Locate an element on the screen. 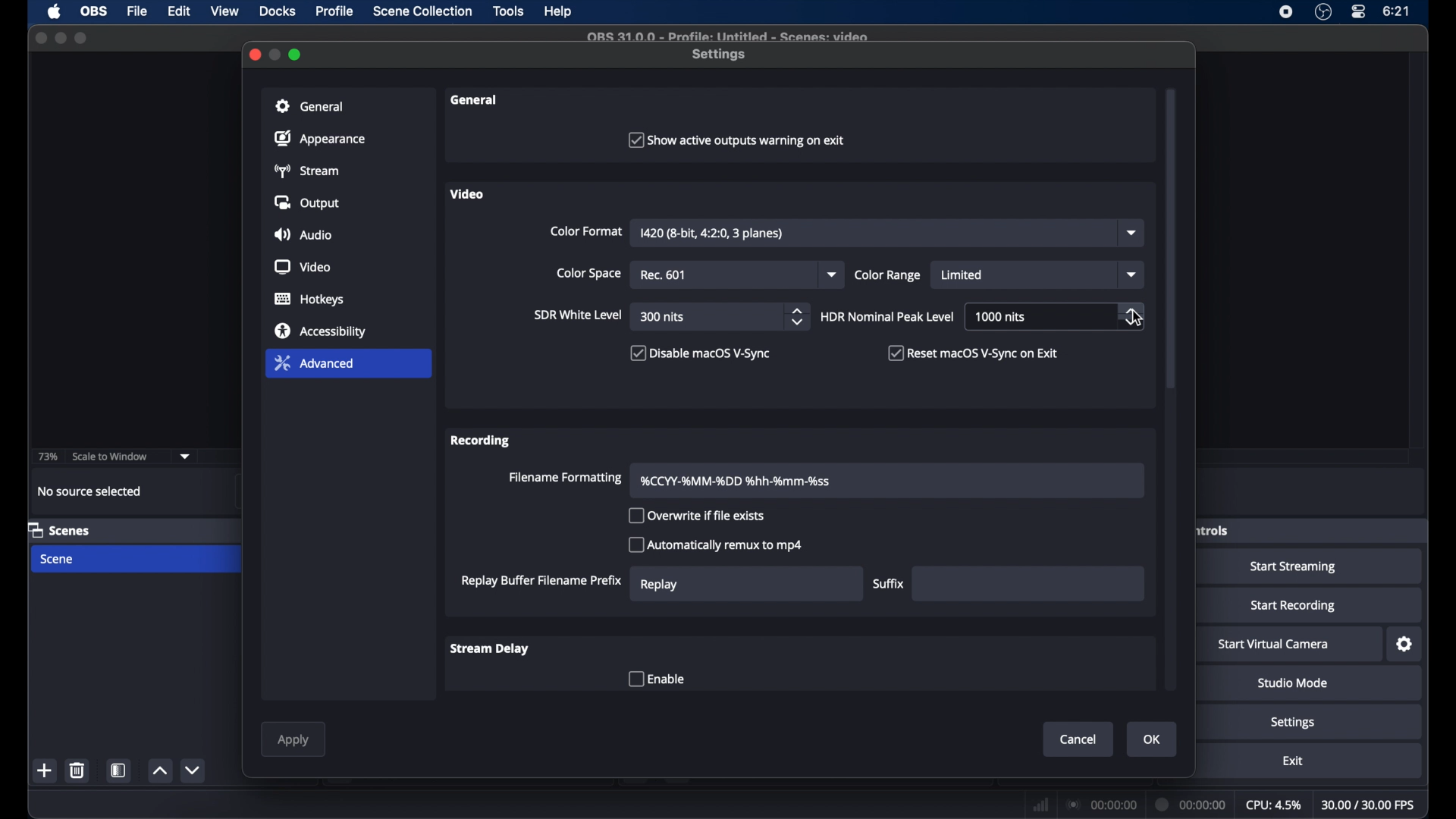 This screenshot has width=1456, height=819. [J Automatically remux to mp4. is located at coordinates (717, 547).